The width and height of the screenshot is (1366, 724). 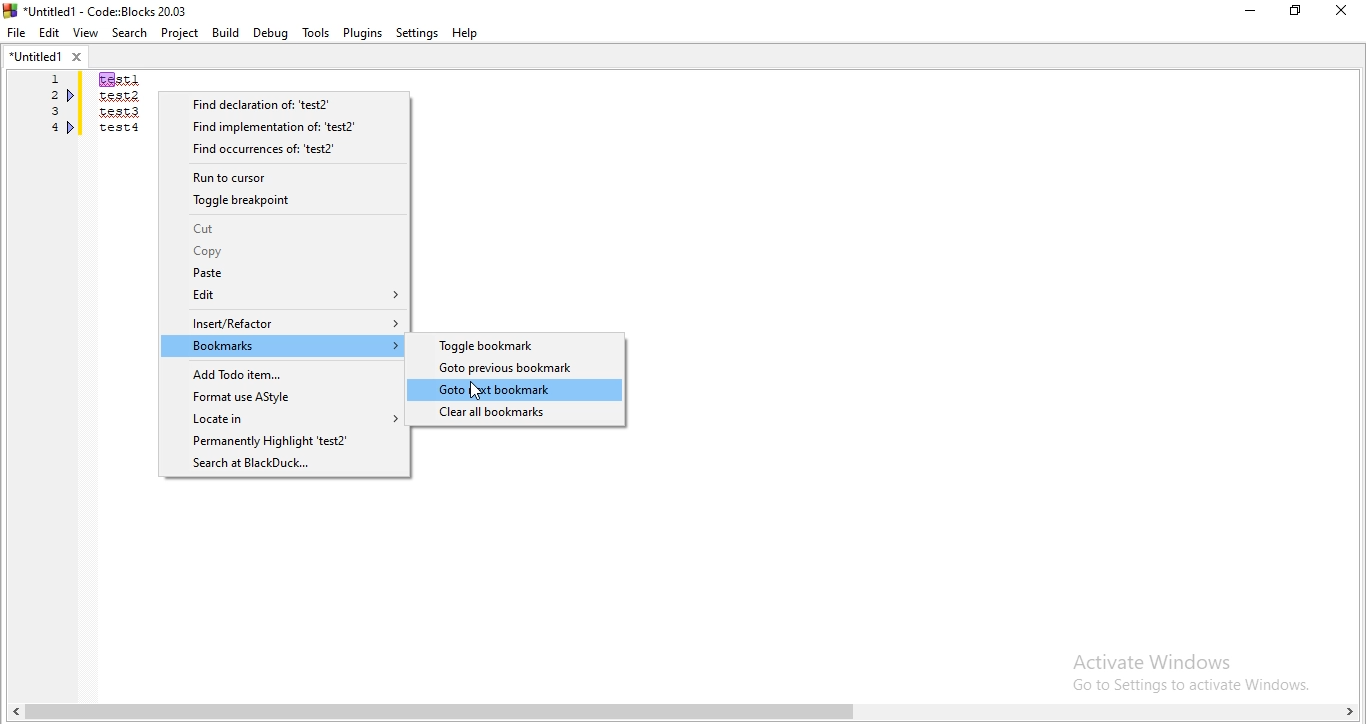 I want to click on Search , so click(x=131, y=34).